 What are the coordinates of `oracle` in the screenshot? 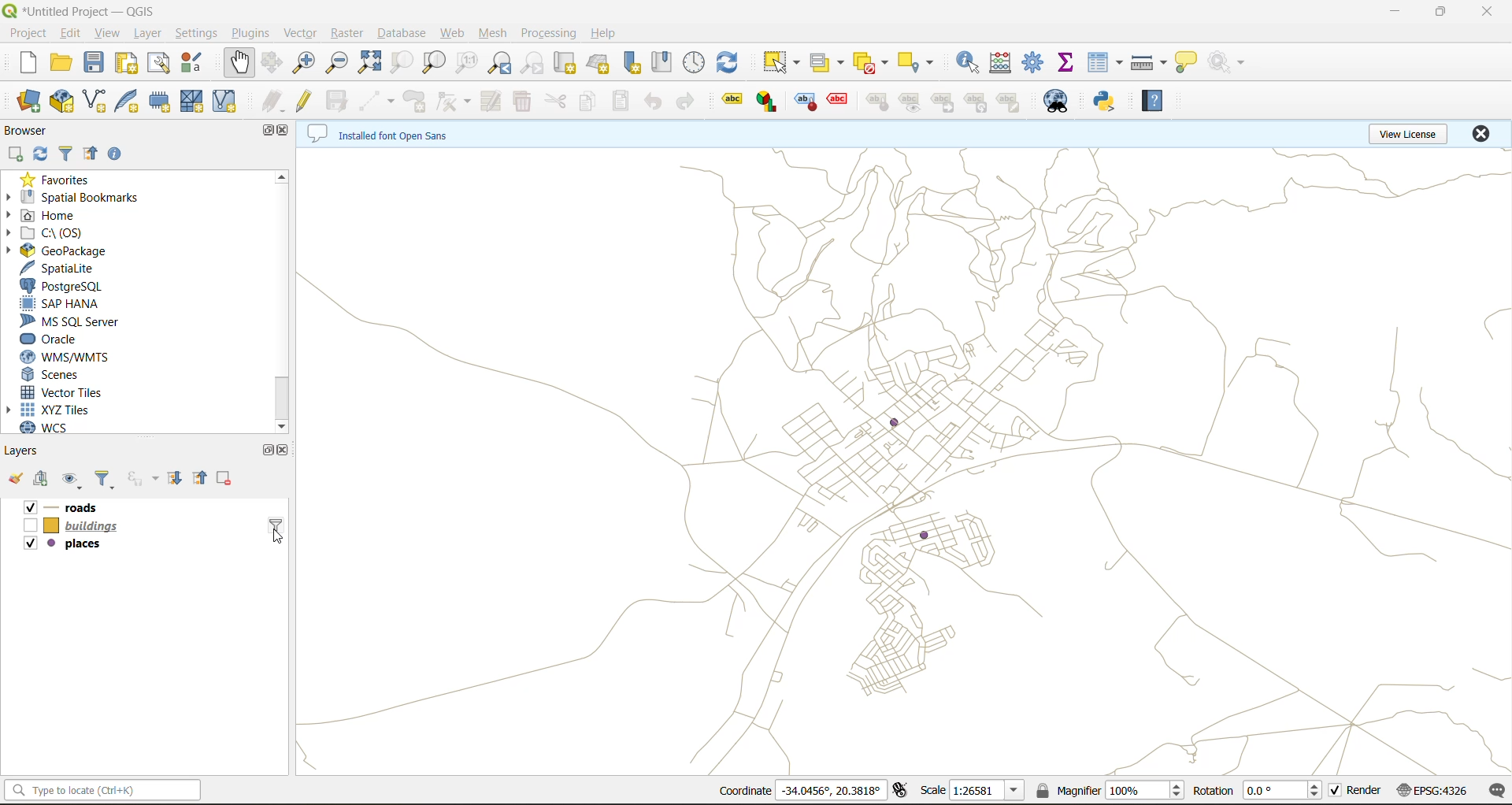 It's located at (60, 340).